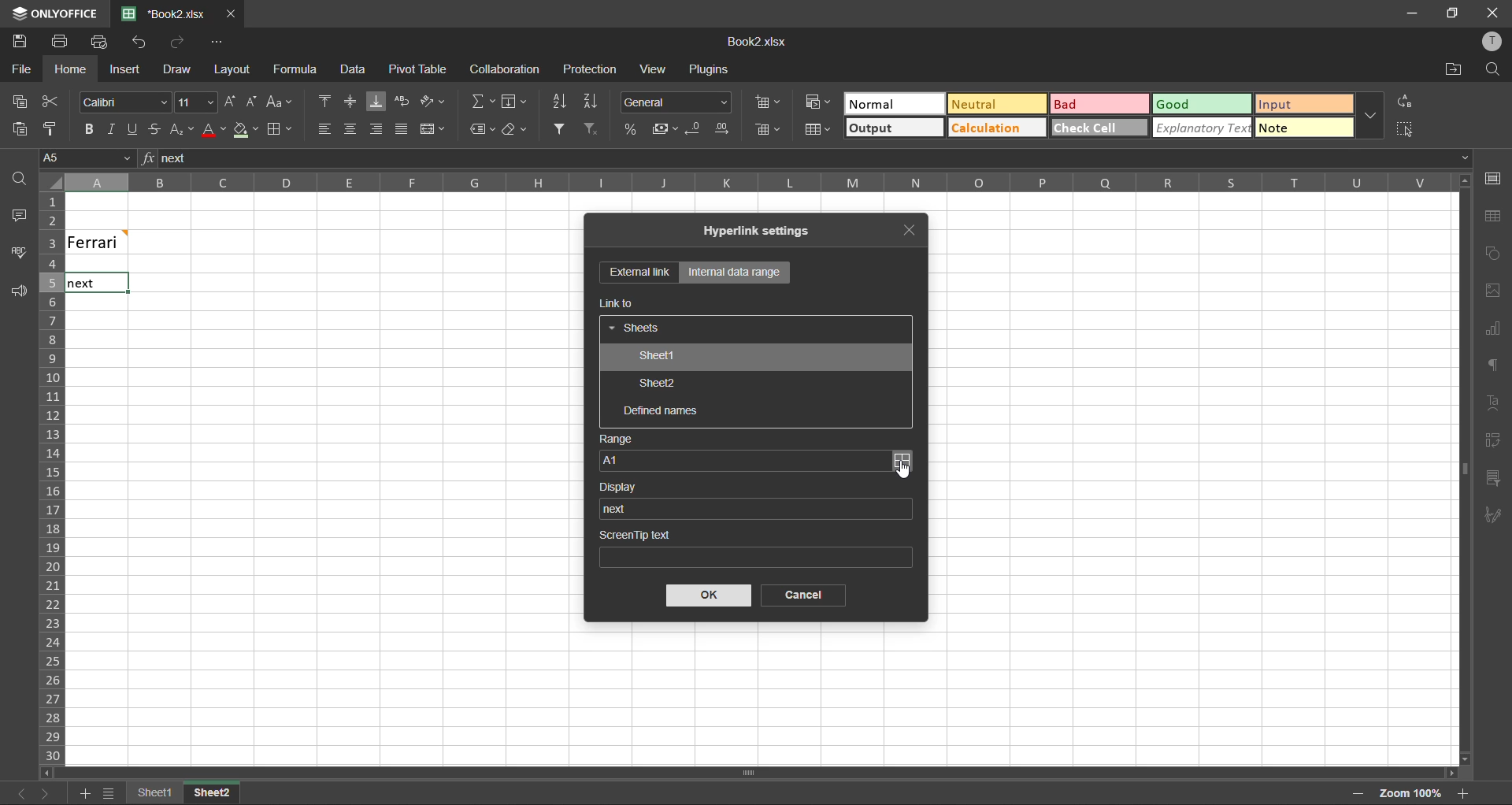  Describe the element at coordinates (19, 182) in the screenshot. I see `find` at that location.